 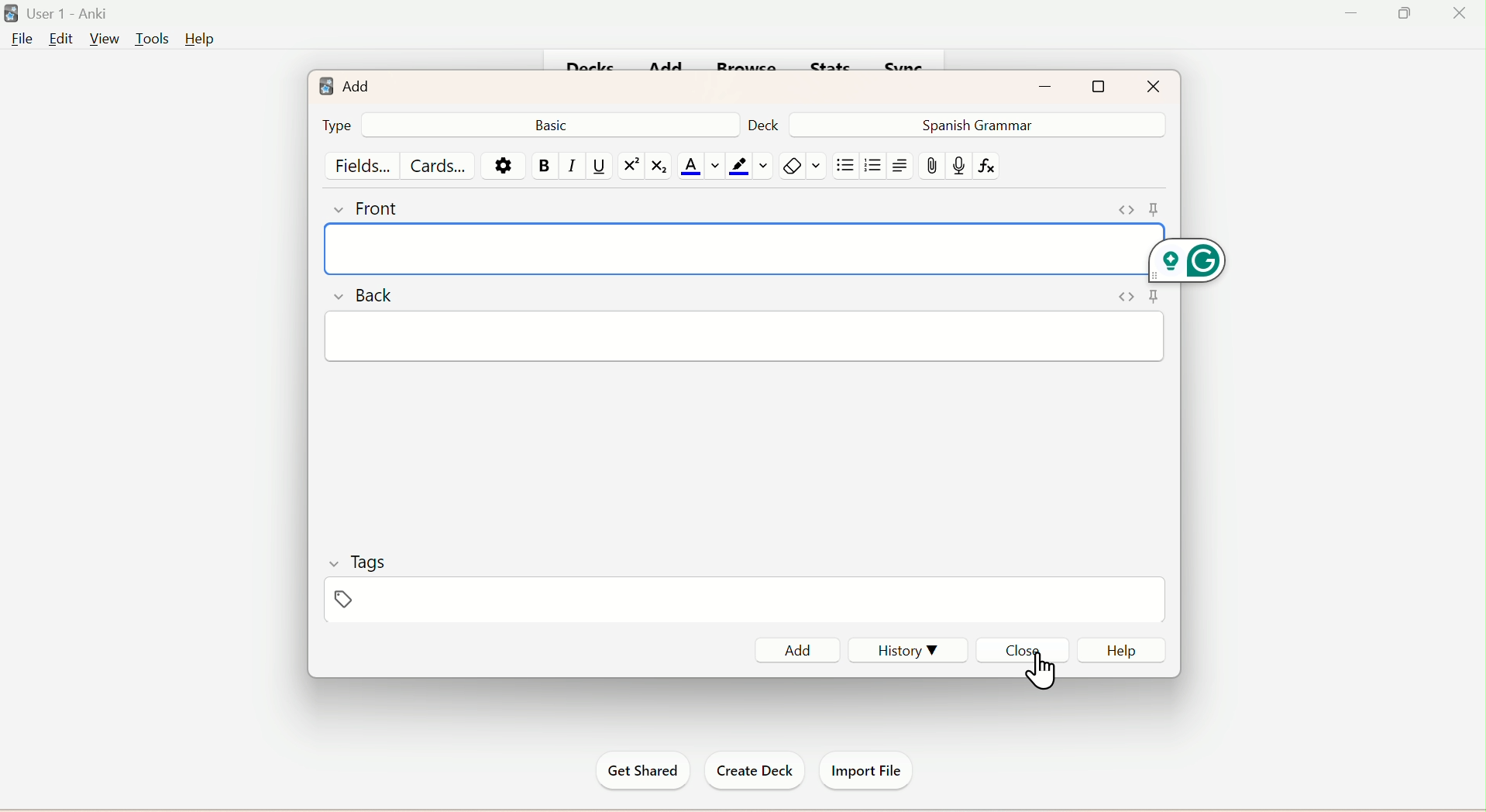 I want to click on Add, so click(x=344, y=82).